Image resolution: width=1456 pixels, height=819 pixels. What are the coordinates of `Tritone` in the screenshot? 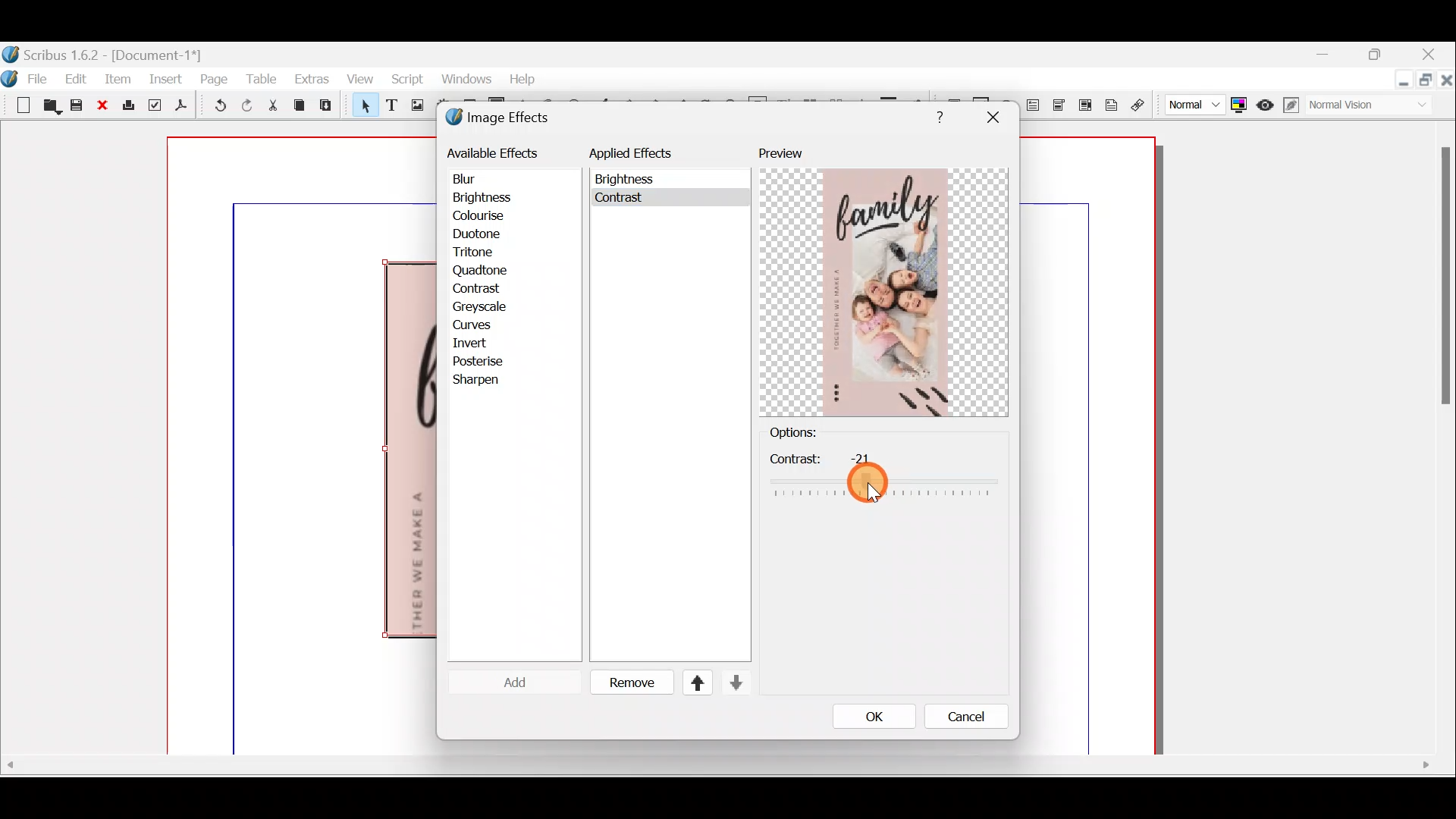 It's located at (480, 254).